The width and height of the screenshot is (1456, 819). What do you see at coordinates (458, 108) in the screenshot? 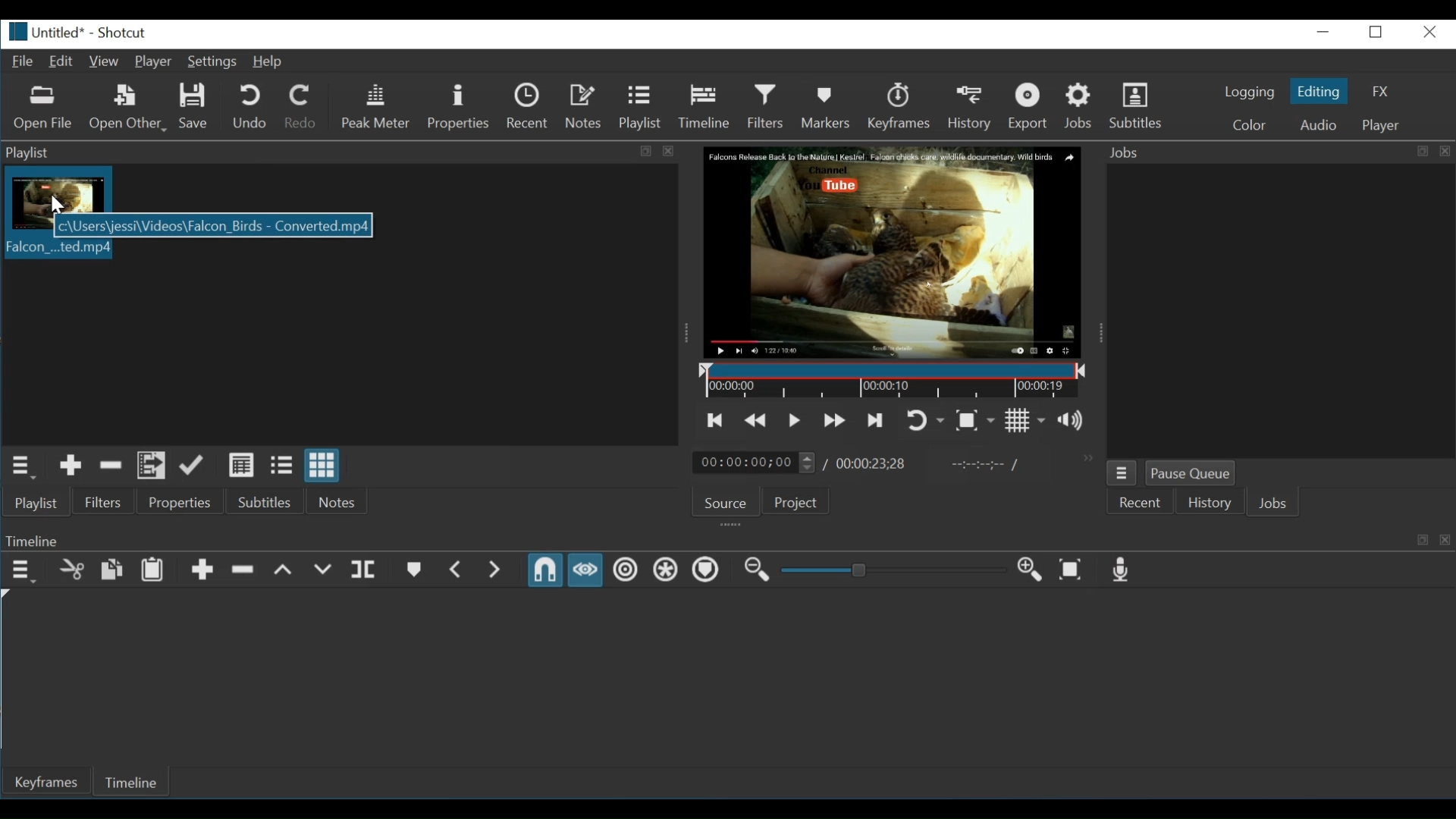
I see `Properties` at bounding box center [458, 108].